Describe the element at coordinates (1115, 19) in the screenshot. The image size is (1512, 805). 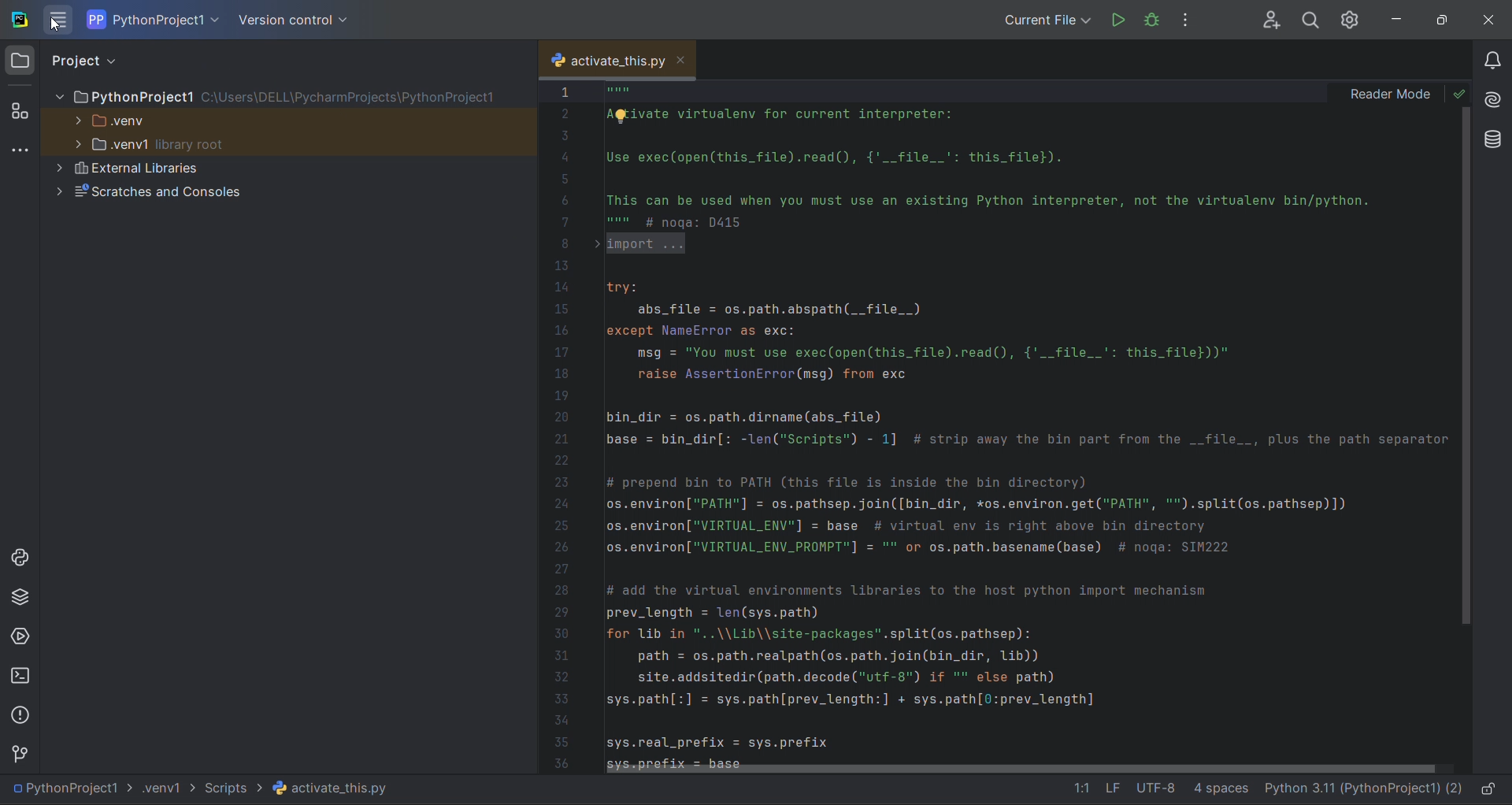
I see `run` at that location.